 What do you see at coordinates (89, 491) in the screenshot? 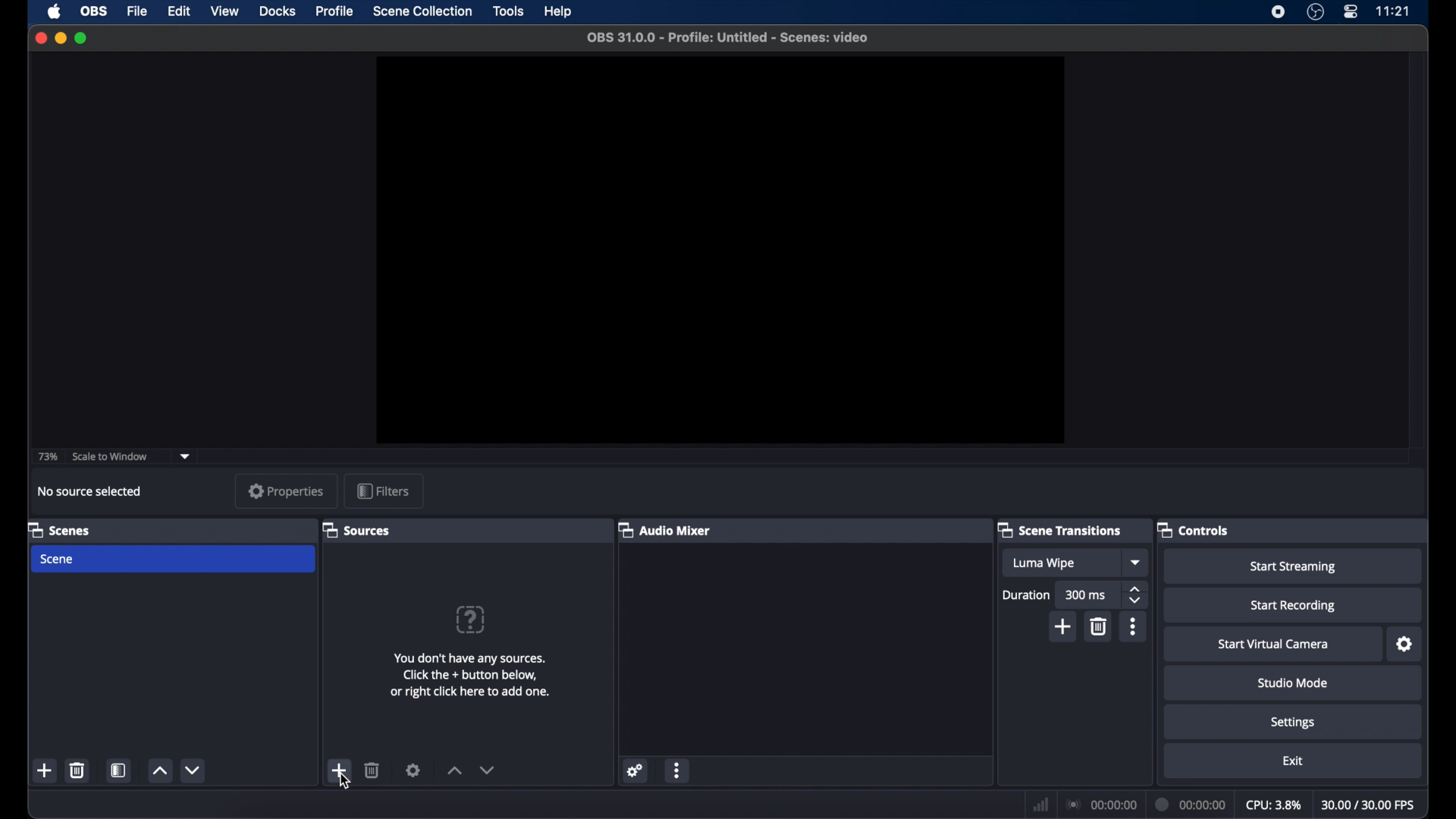
I see `no source selected` at bounding box center [89, 491].